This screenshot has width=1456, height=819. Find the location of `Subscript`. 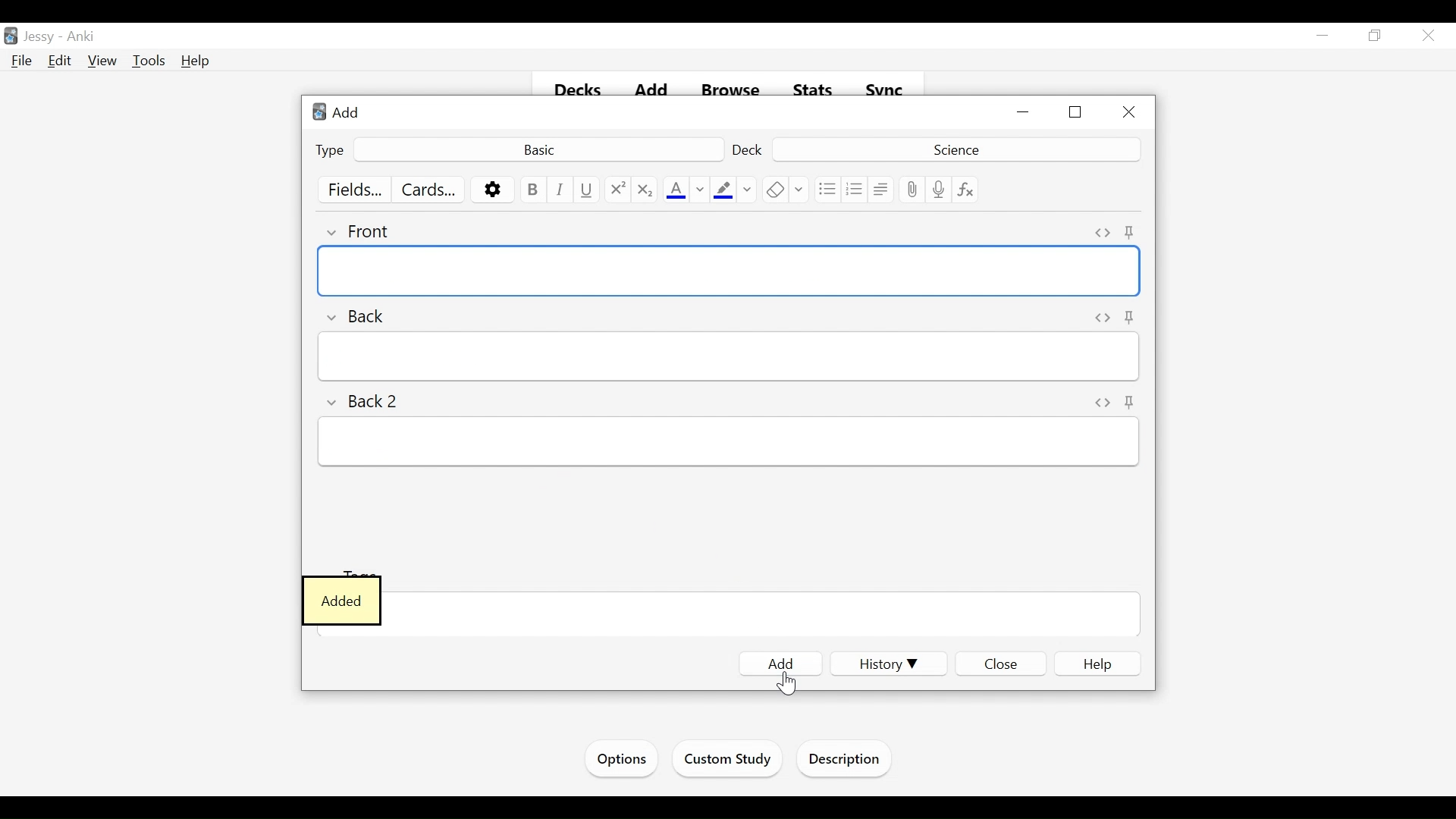

Subscript is located at coordinates (644, 190).